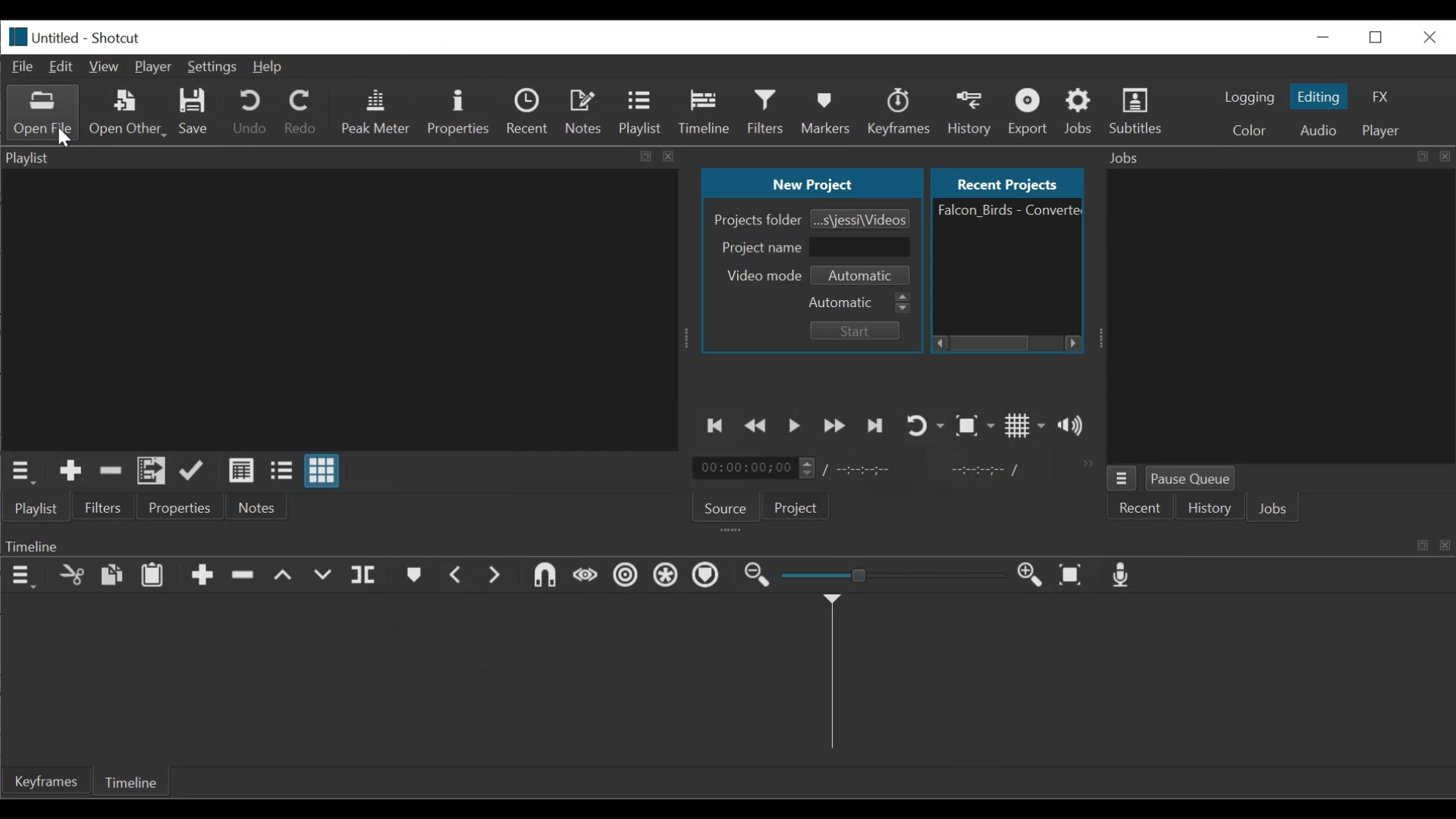 This screenshot has height=819, width=1456. I want to click on Jobs, so click(1080, 111).